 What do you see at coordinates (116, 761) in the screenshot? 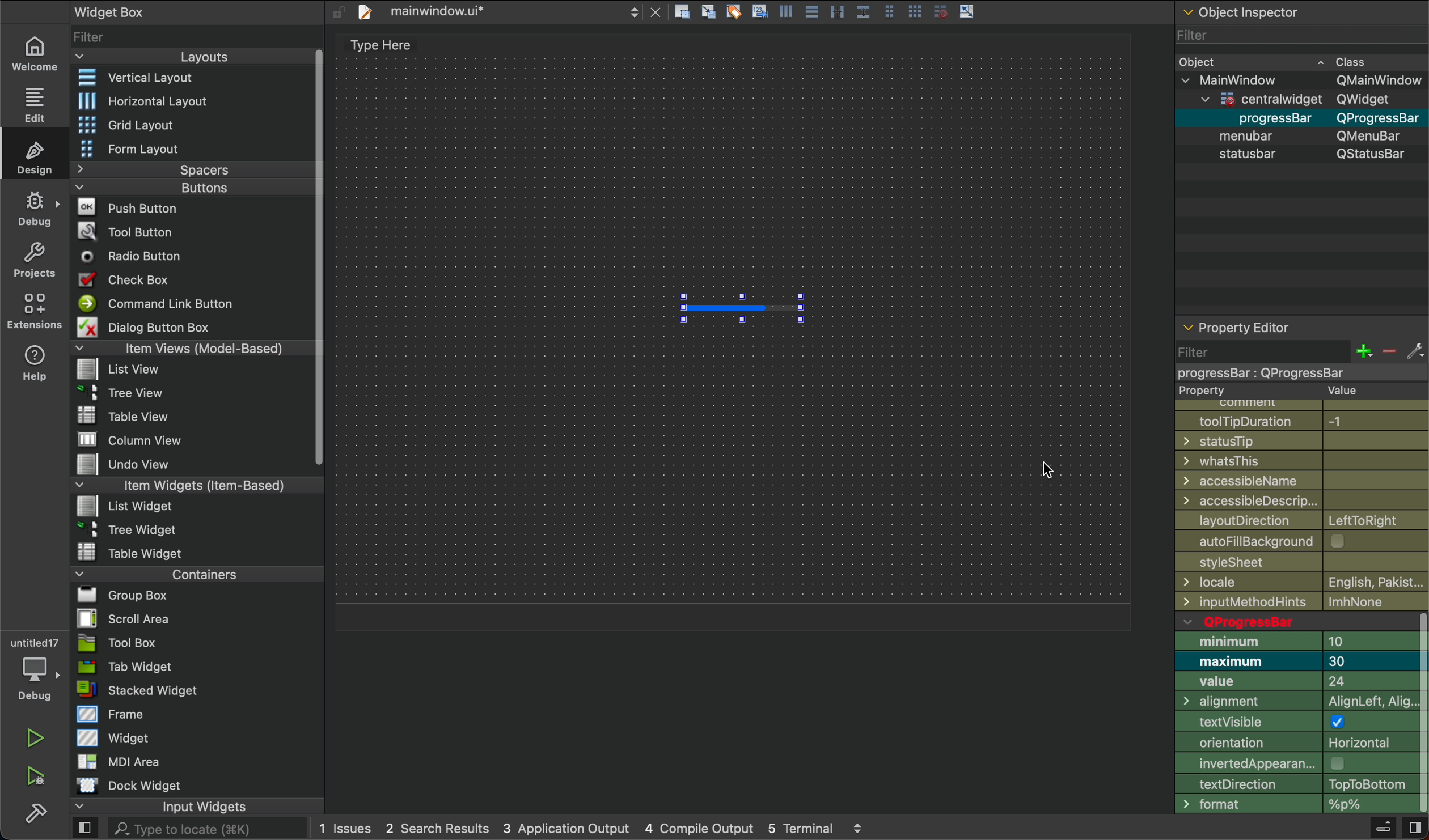
I see `MDI Area` at bounding box center [116, 761].